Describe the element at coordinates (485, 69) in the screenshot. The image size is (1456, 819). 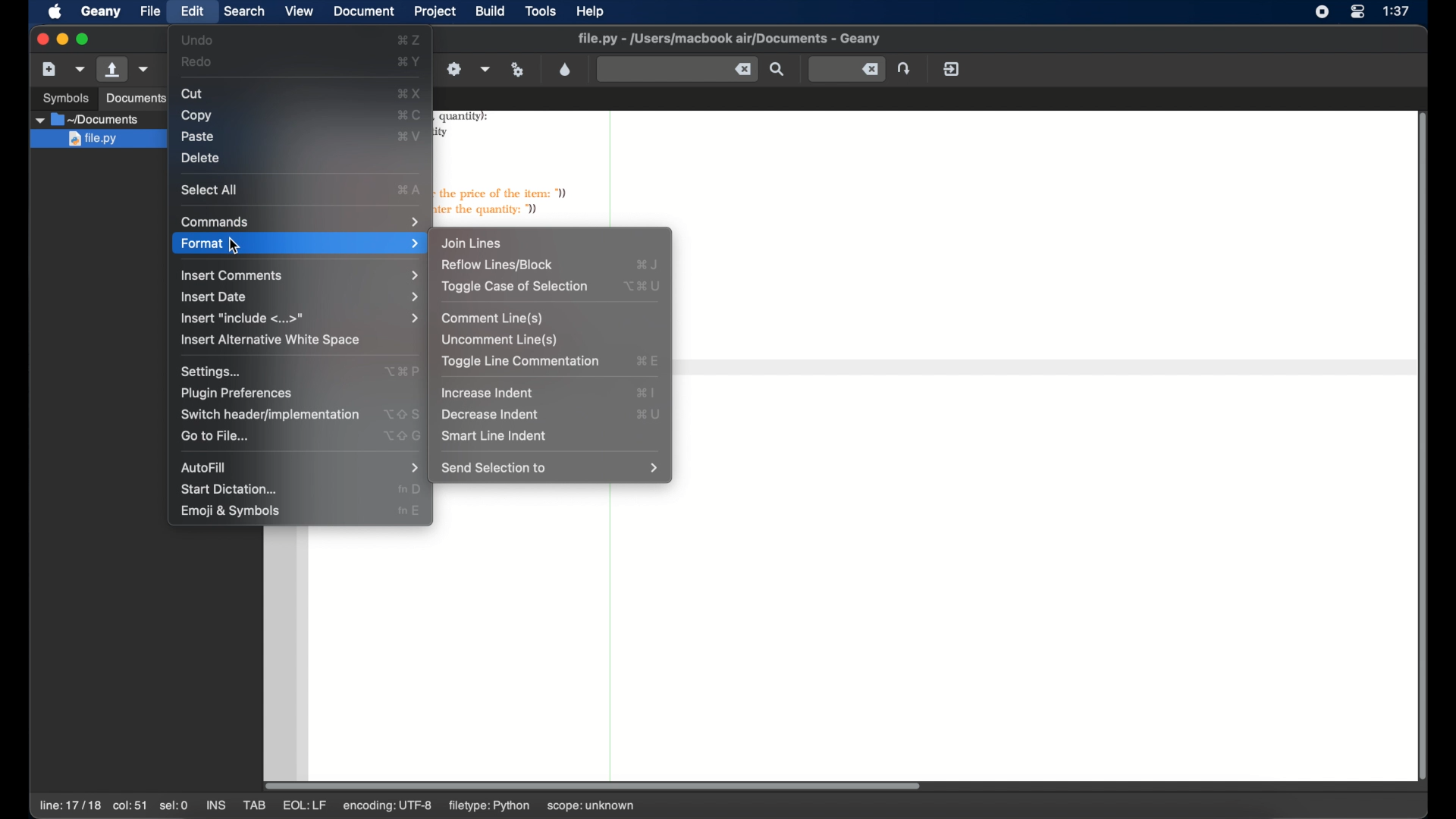
I see `choose more build actions` at that location.